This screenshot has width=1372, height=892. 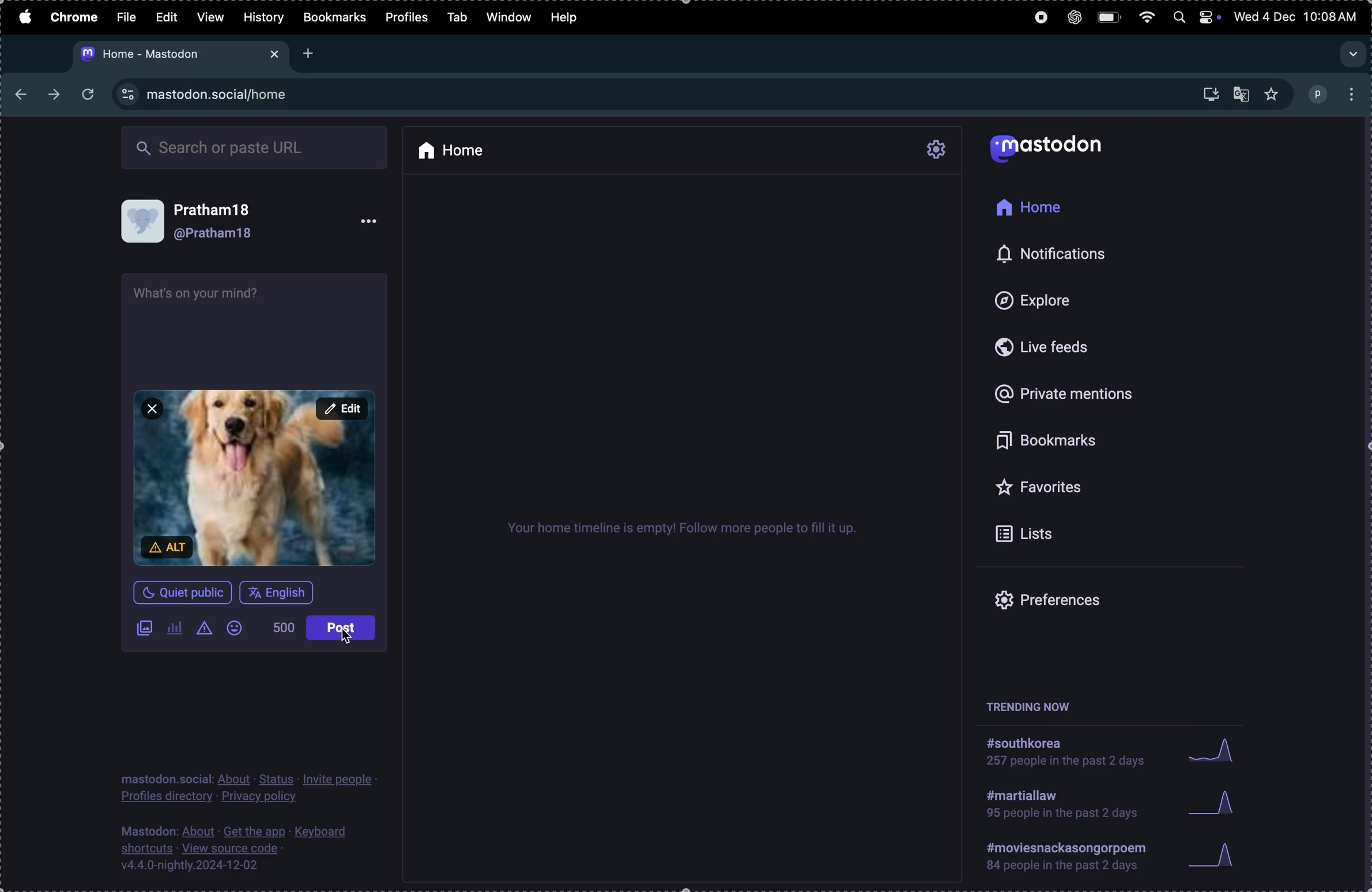 I want to click on help, so click(x=570, y=14).